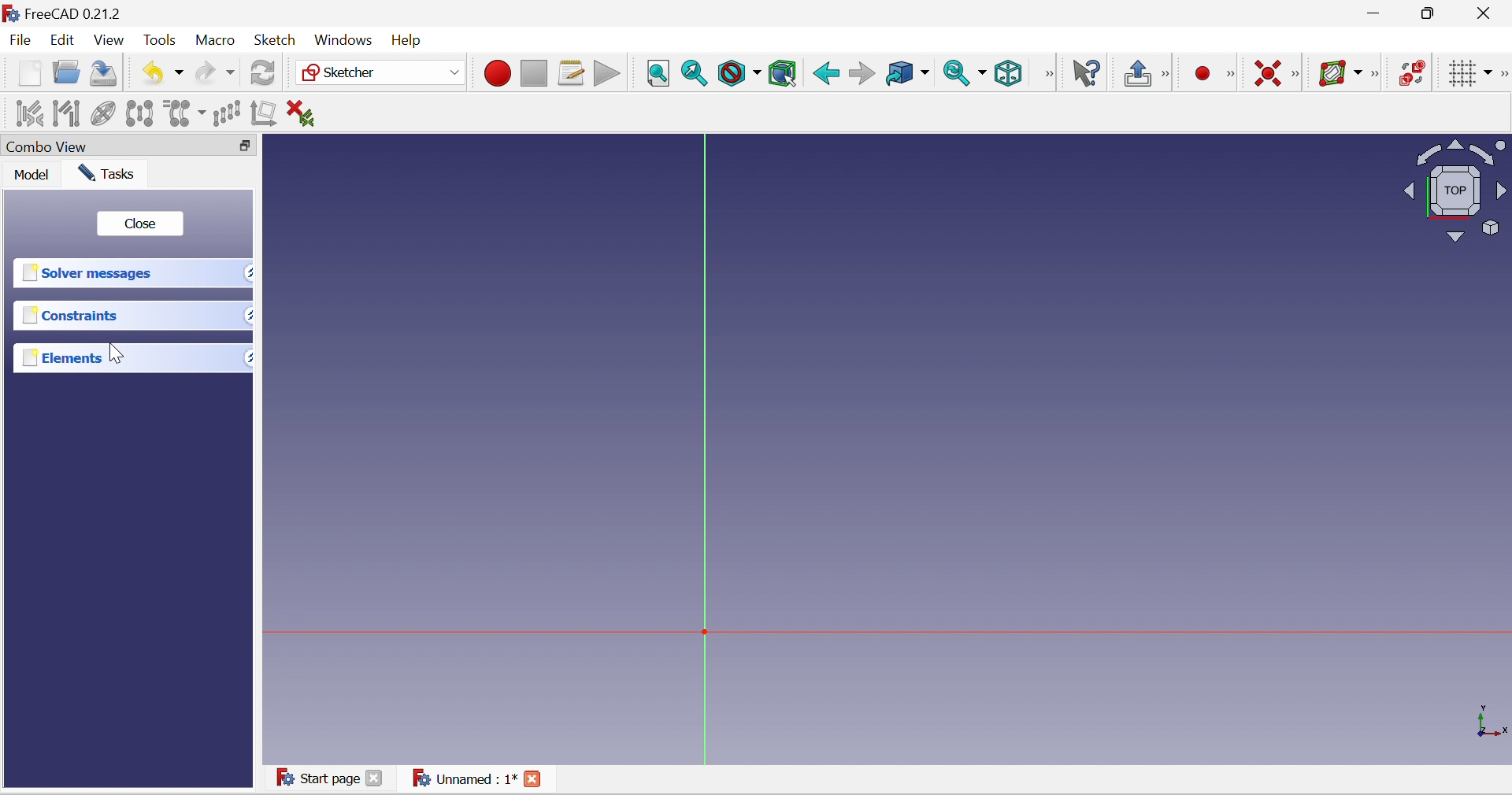  Describe the element at coordinates (1492, 719) in the screenshot. I see `x, y, z axis` at that location.